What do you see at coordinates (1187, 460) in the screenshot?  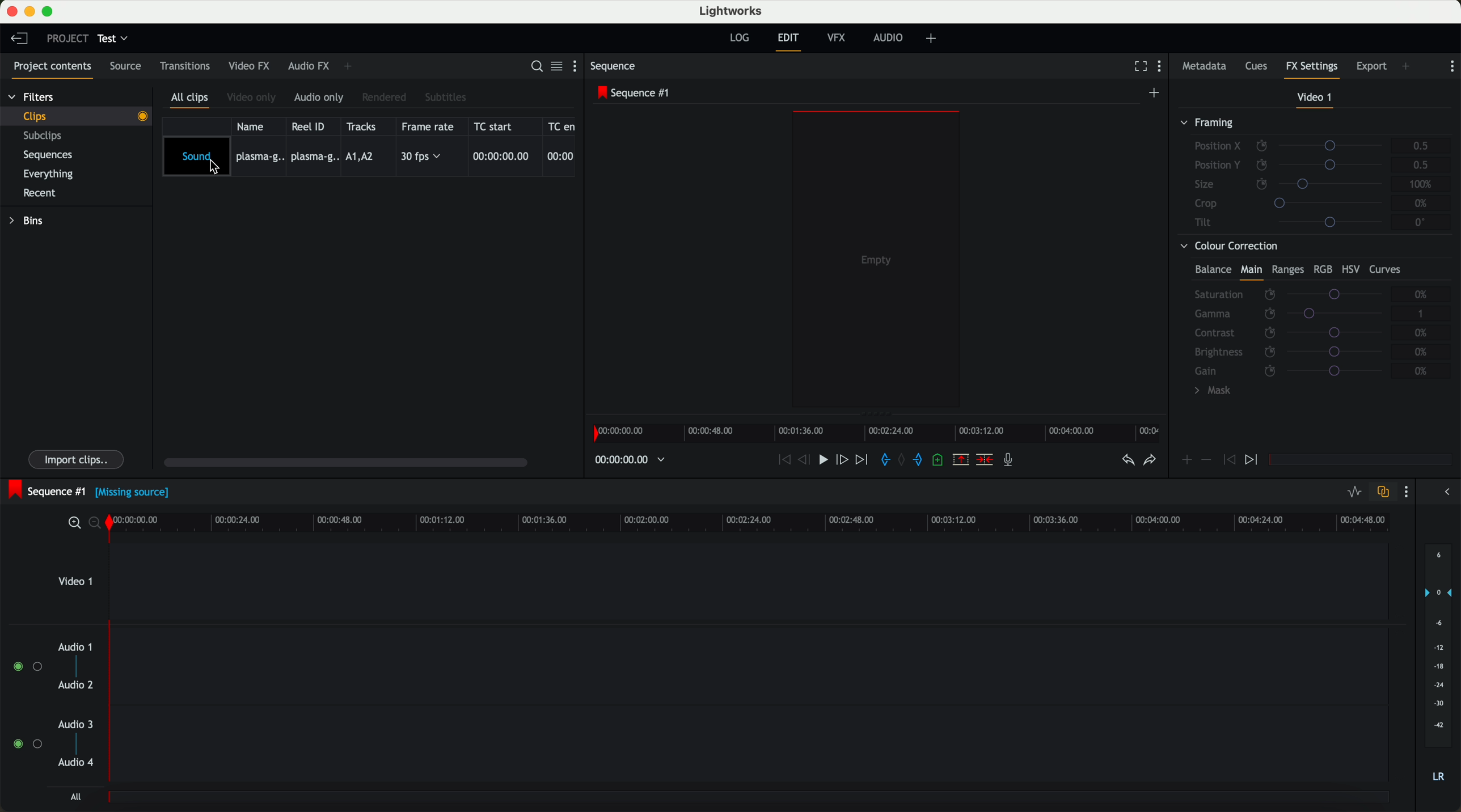 I see `add keyframe at the current position` at bounding box center [1187, 460].